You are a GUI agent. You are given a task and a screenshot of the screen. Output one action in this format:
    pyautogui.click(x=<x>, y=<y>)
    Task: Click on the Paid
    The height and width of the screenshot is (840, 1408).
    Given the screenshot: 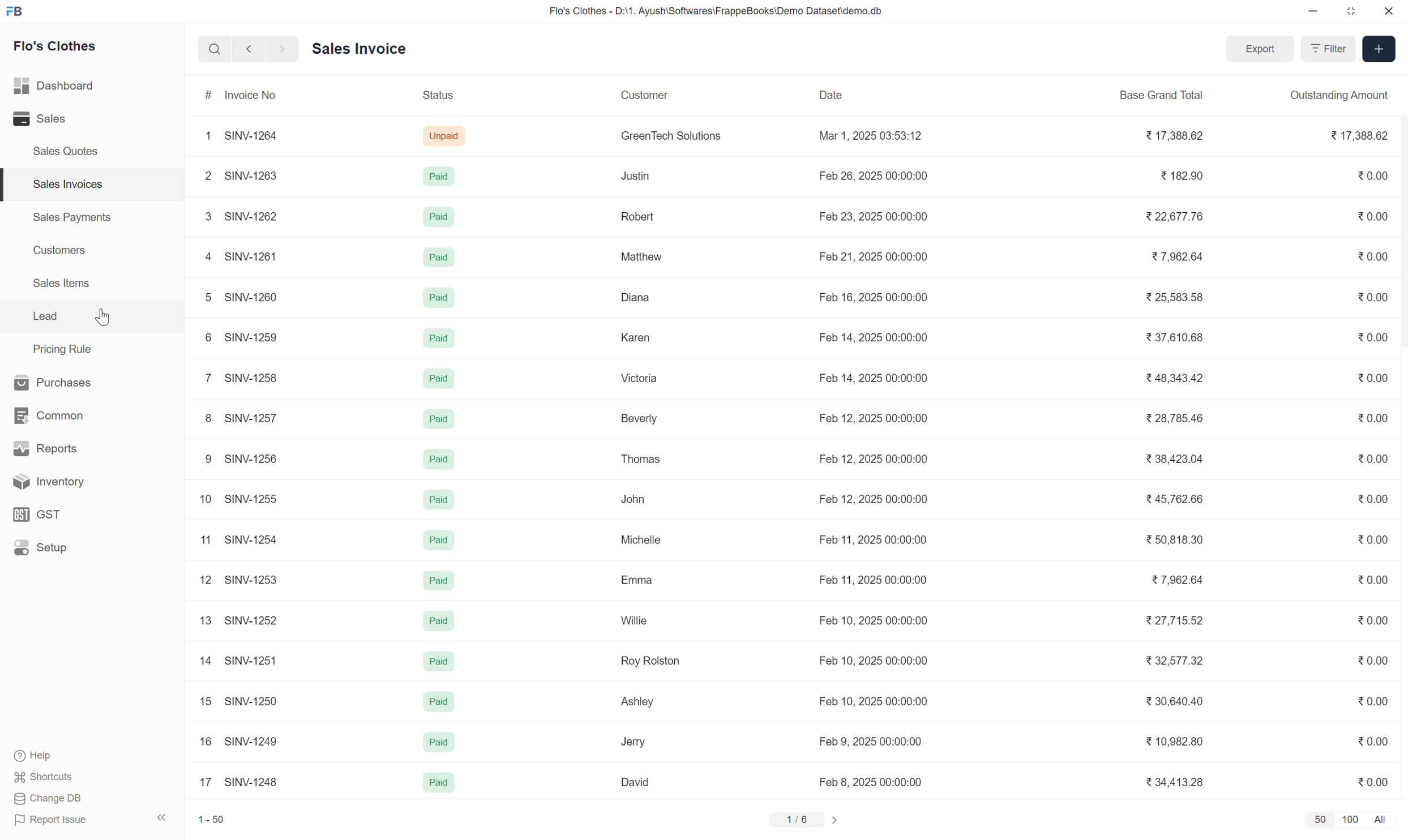 What is the action you would take?
    pyautogui.click(x=436, y=783)
    